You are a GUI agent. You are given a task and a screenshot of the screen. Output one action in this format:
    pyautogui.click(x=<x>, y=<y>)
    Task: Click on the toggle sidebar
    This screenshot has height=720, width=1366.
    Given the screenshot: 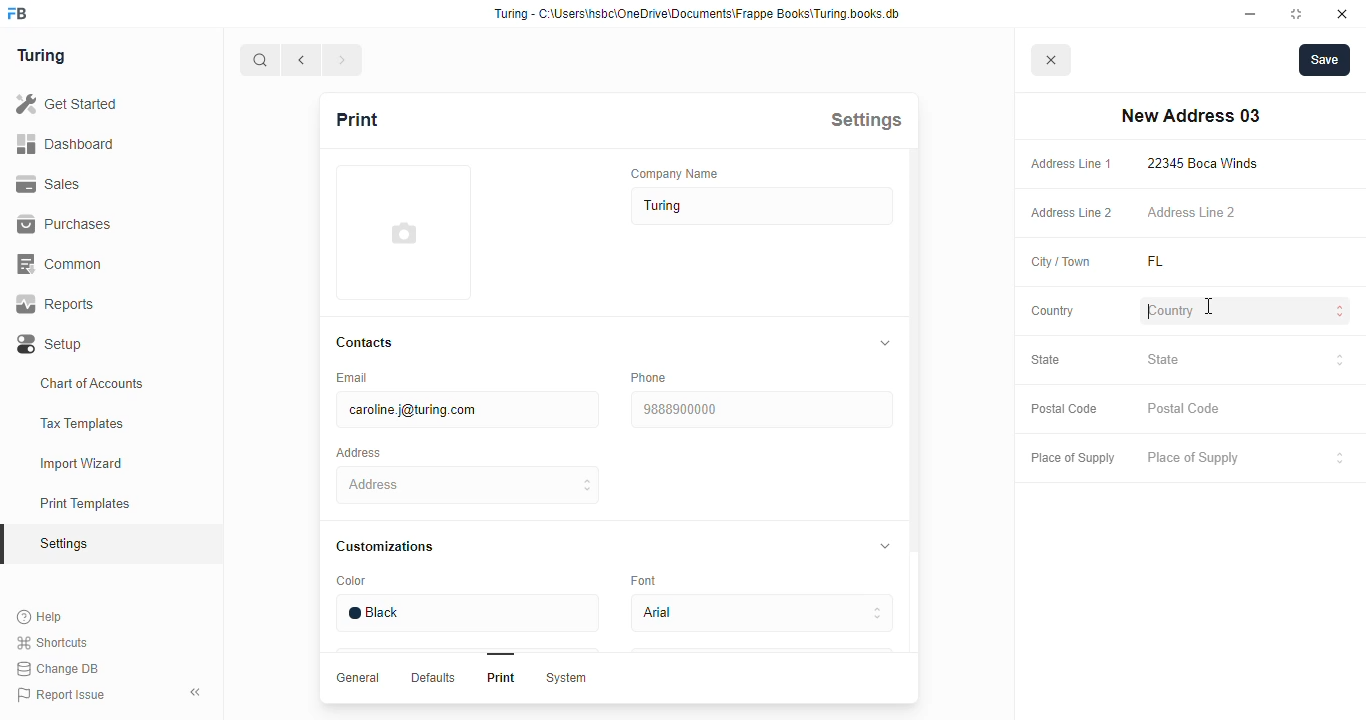 What is the action you would take?
    pyautogui.click(x=198, y=691)
    